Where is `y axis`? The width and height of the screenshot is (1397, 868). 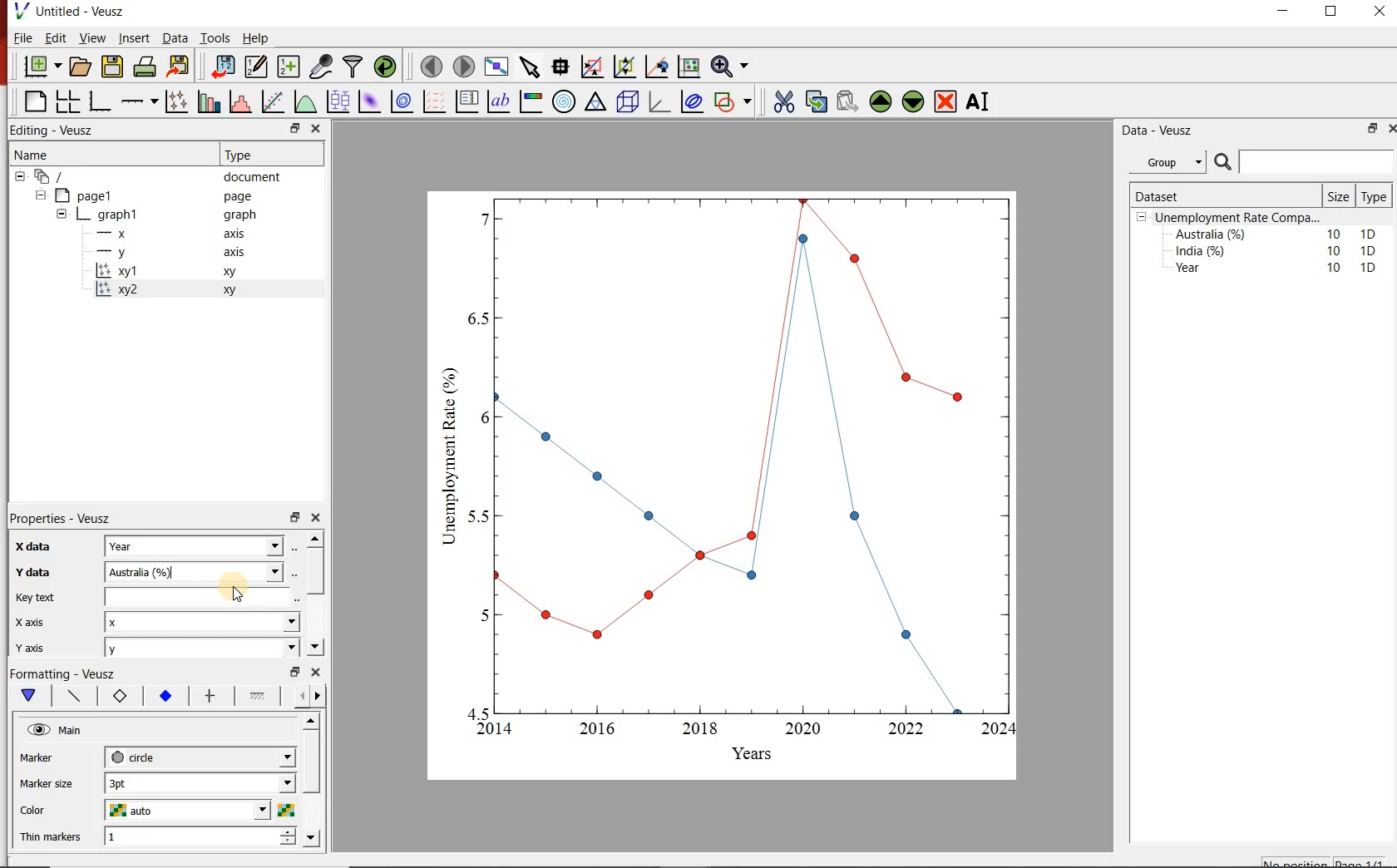
y axis is located at coordinates (180, 253).